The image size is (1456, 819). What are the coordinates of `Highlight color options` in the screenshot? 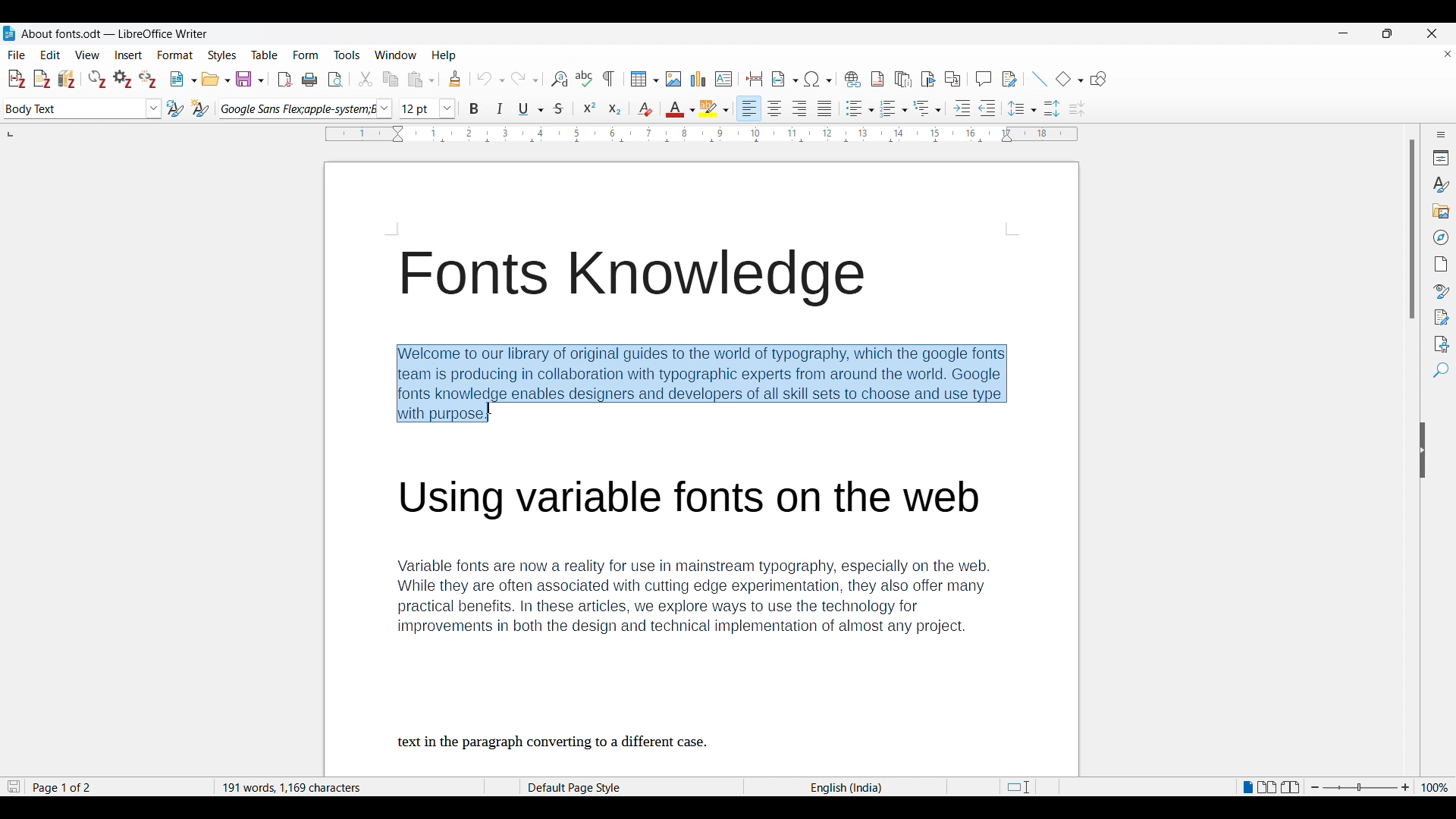 It's located at (714, 108).